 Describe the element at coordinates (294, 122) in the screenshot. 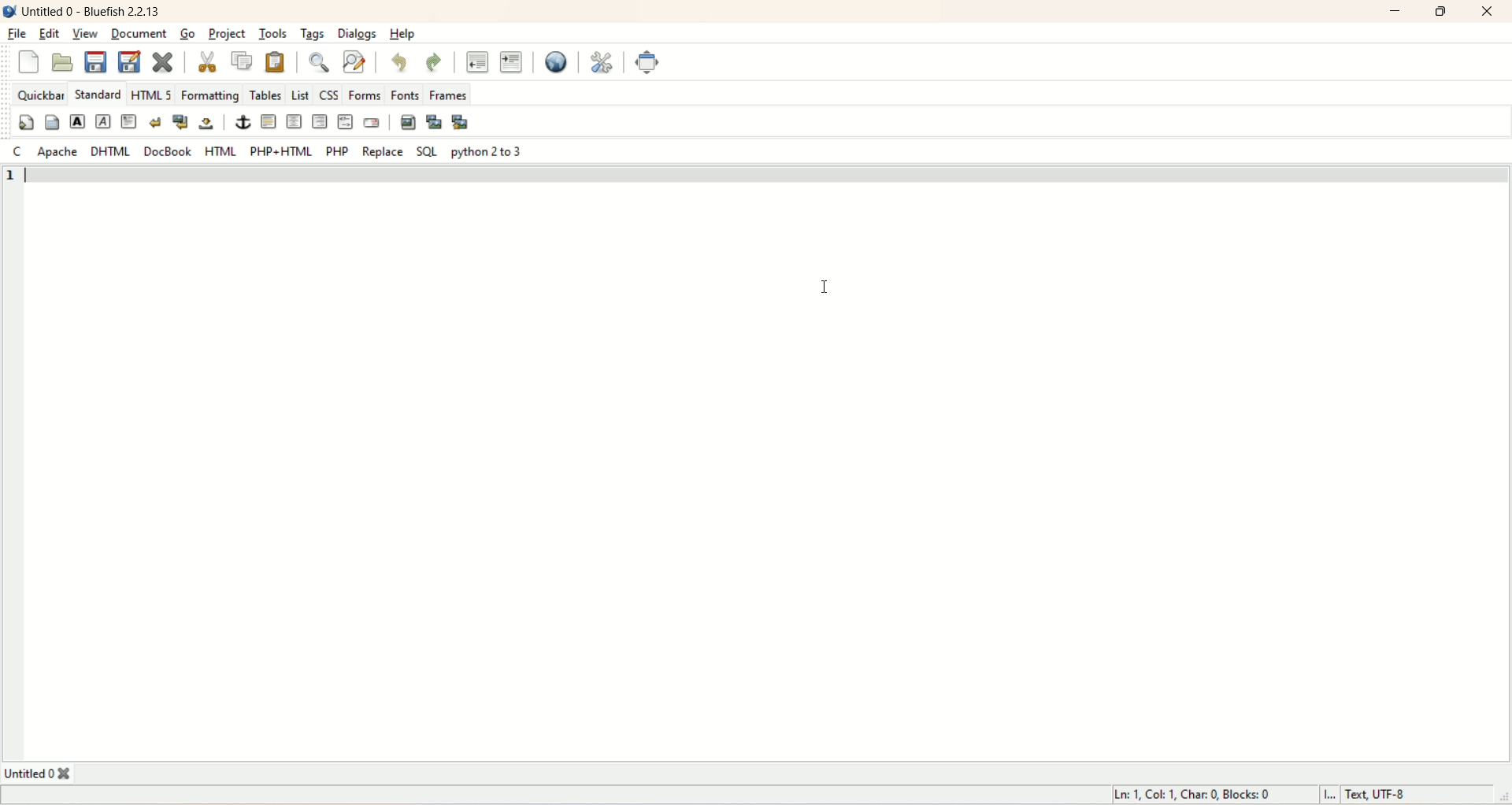

I see `center` at that location.